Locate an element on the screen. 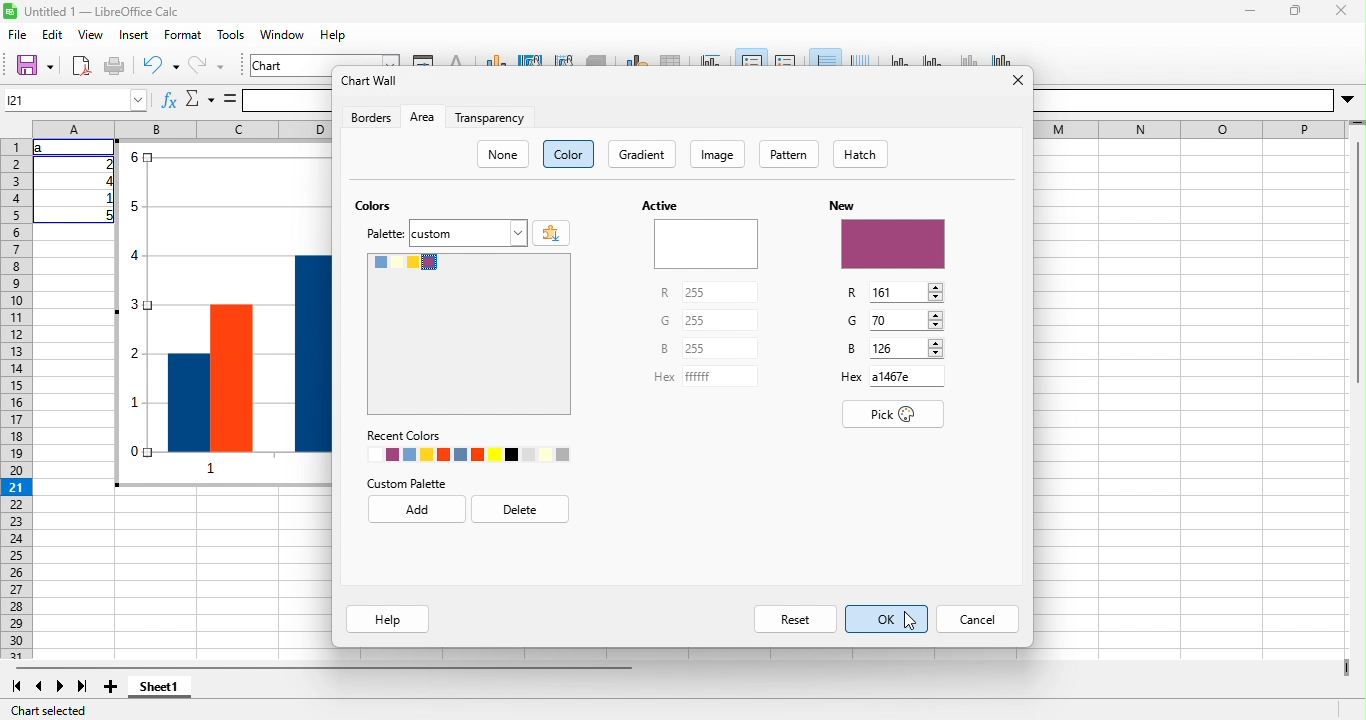 The height and width of the screenshot is (720, 1366). z axis is located at coordinates (967, 58).